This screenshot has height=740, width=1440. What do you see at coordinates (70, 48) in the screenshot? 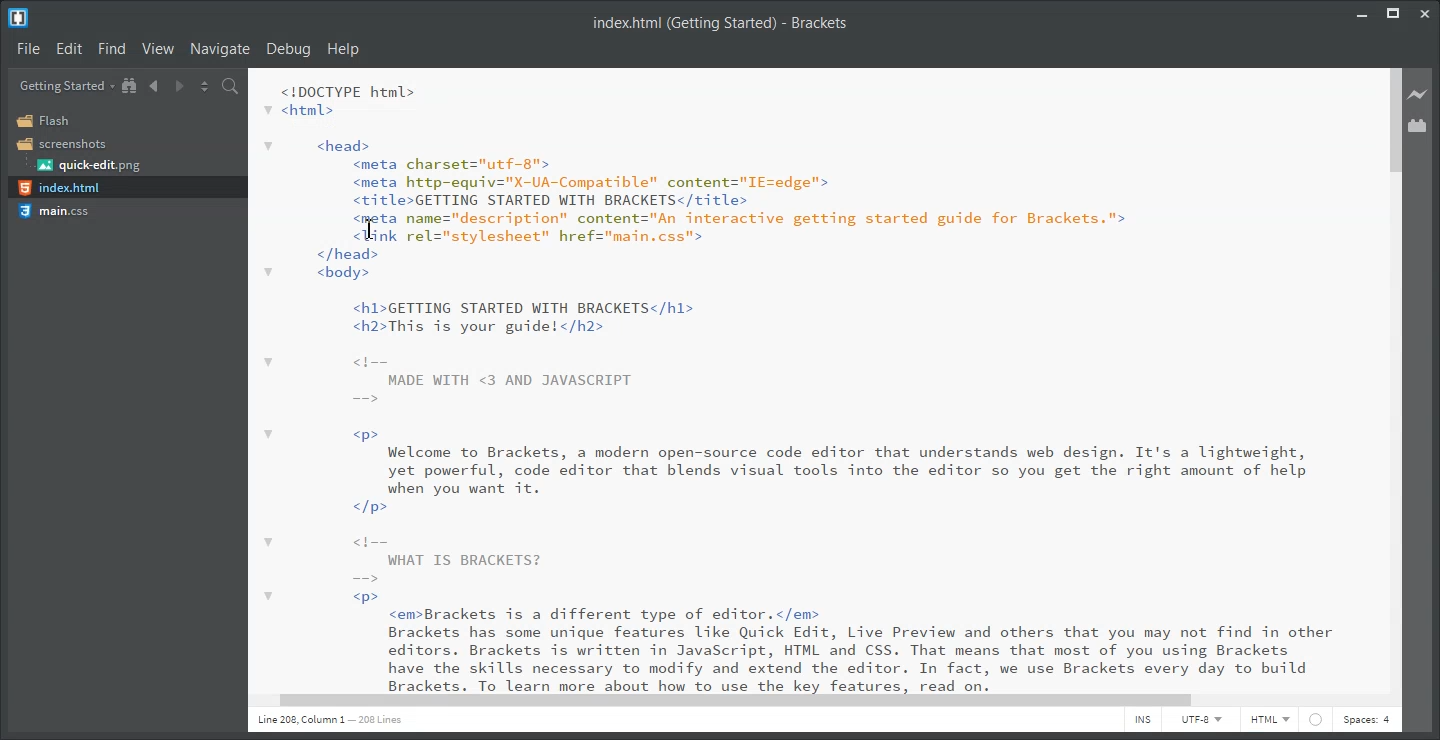
I see `Edit` at bounding box center [70, 48].